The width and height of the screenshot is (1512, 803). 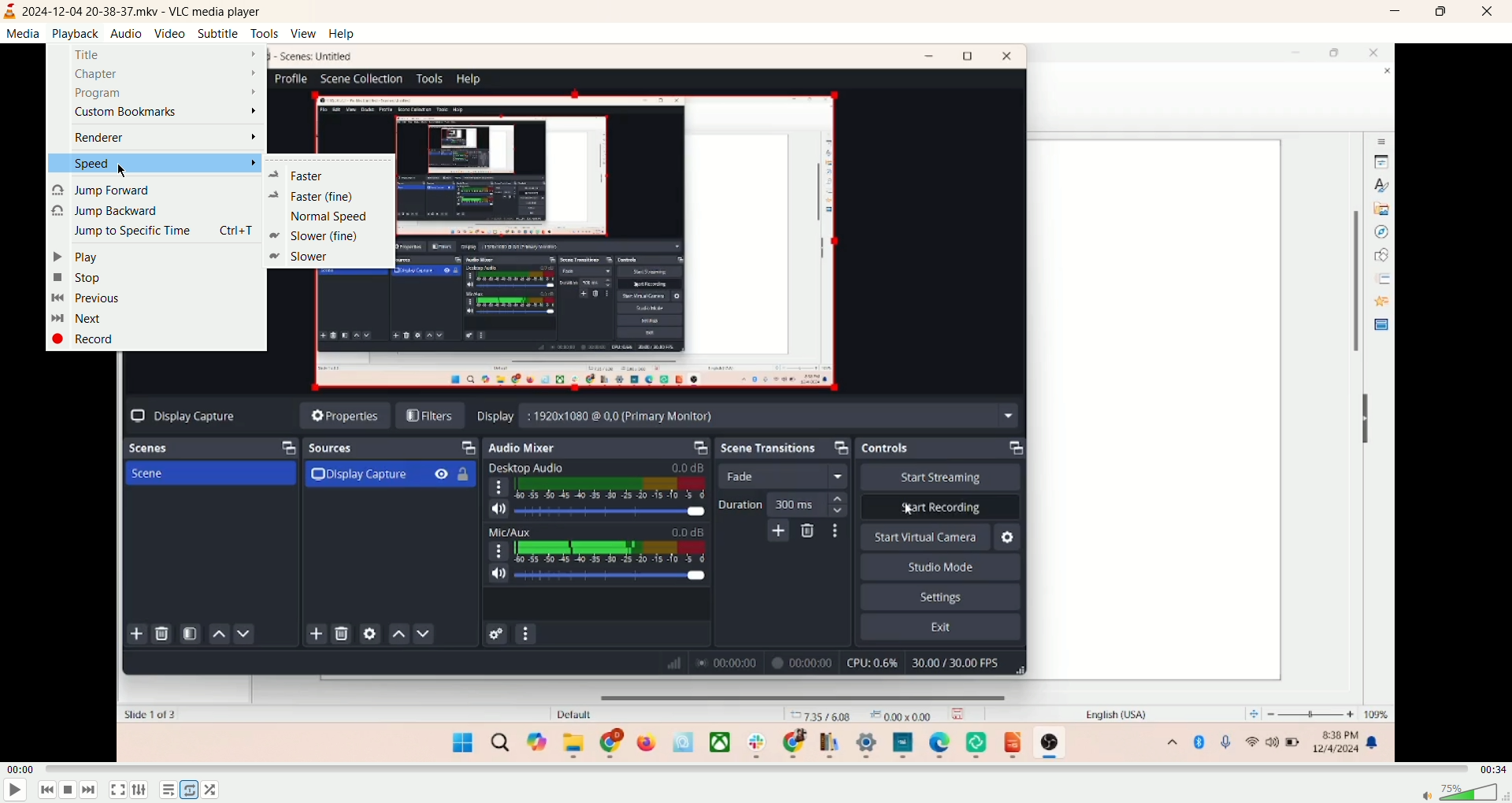 I want to click on played time, so click(x=20, y=768).